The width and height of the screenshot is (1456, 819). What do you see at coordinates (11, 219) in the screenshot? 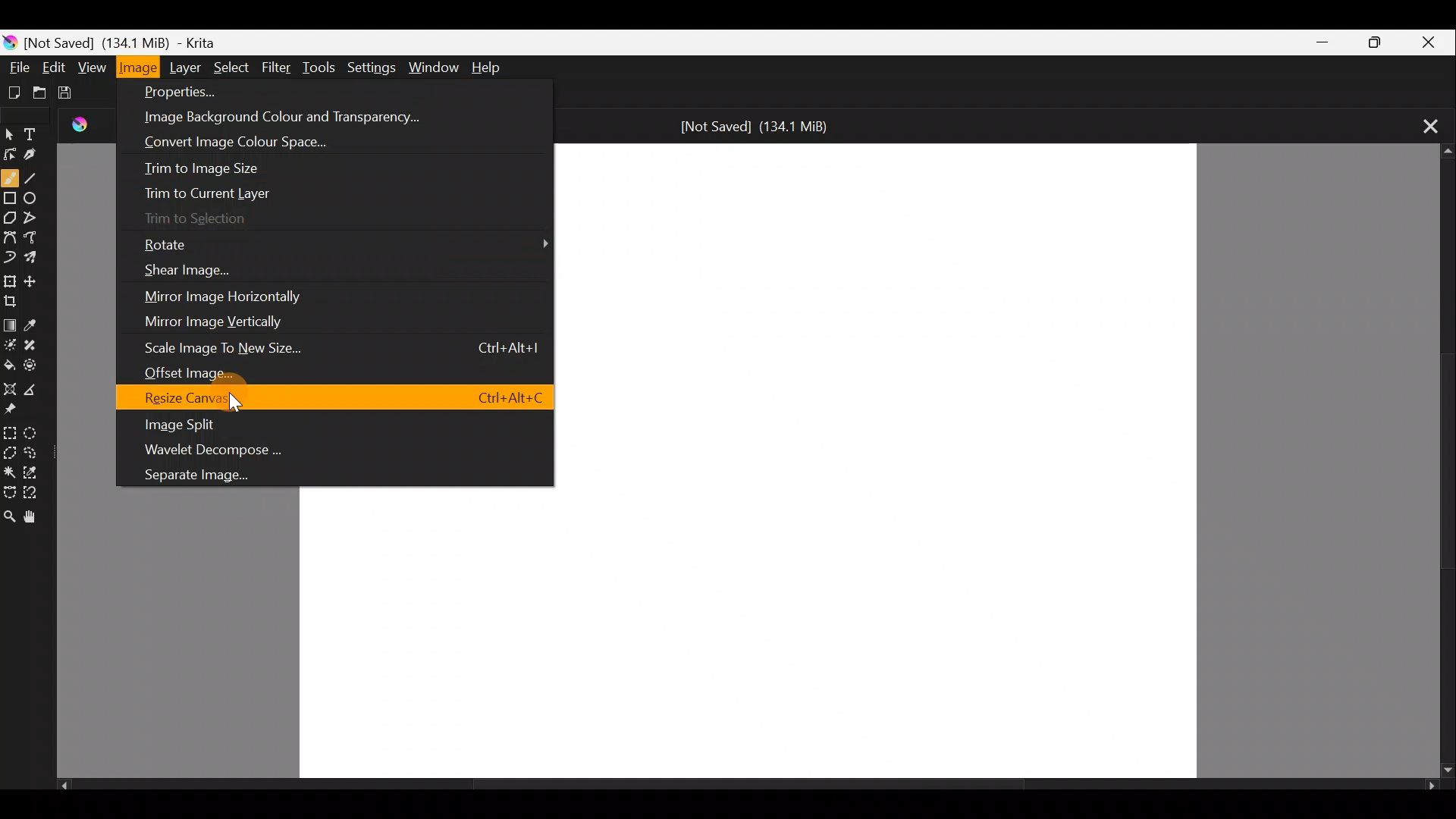
I see `Polygon tool` at bounding box center [11, 219].